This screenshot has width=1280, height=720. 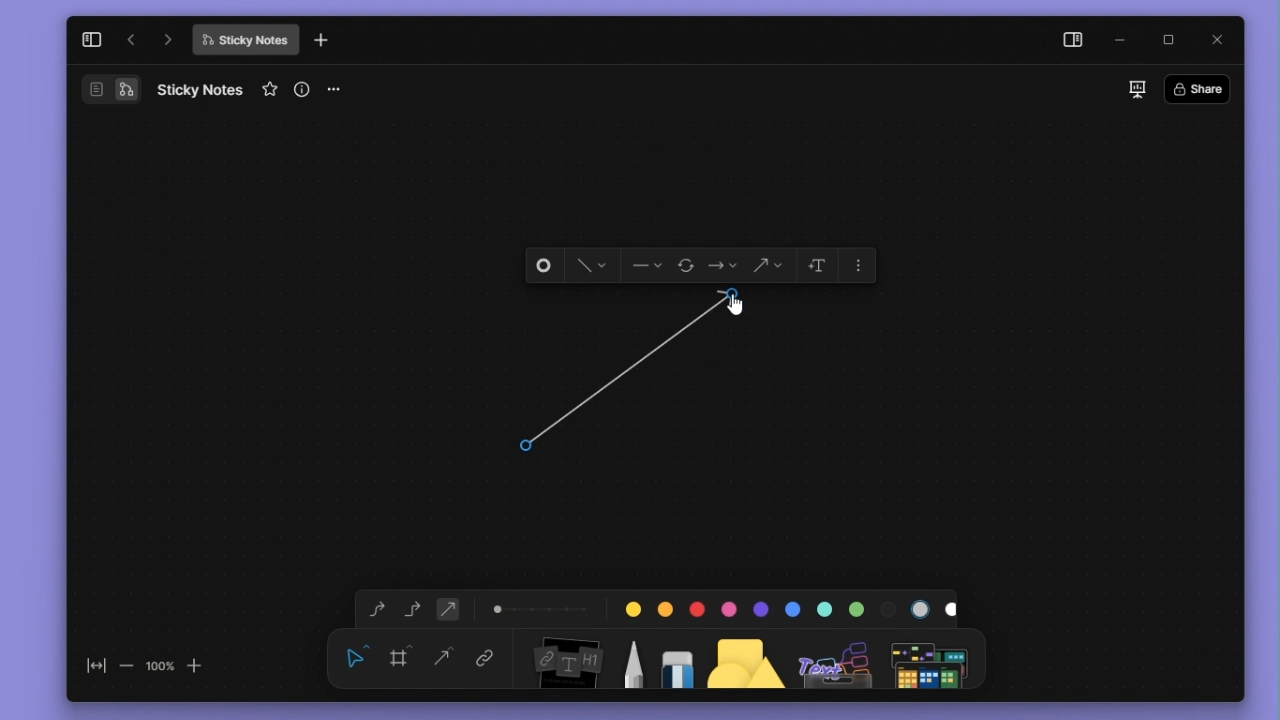 I want to click on mouse crosshair, so click(x=530, y=444).